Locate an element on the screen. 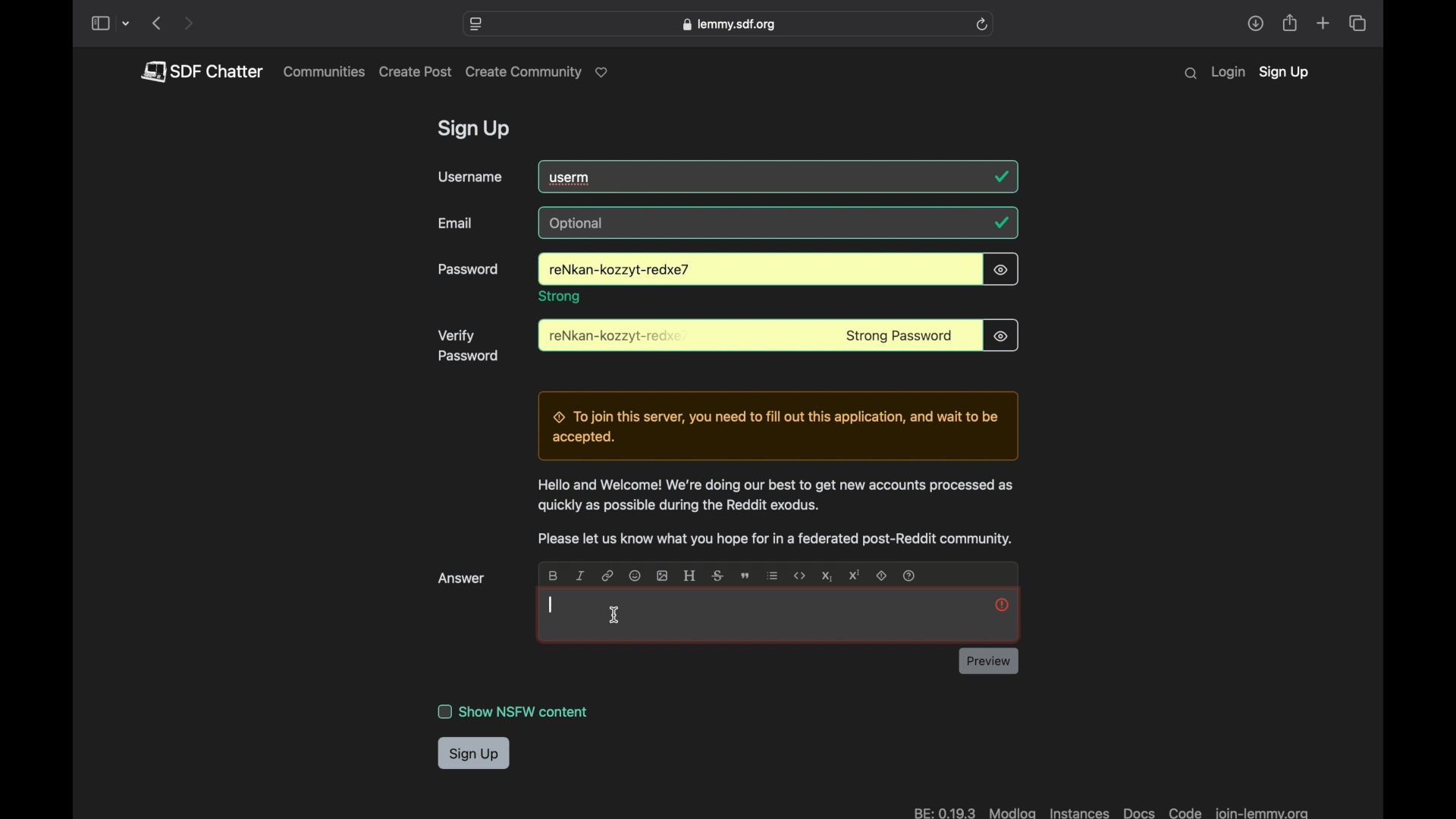 Image resolution: width=1456 pixels, height=819 pixels. visibility toggle is located at coordinates (1002, 269).